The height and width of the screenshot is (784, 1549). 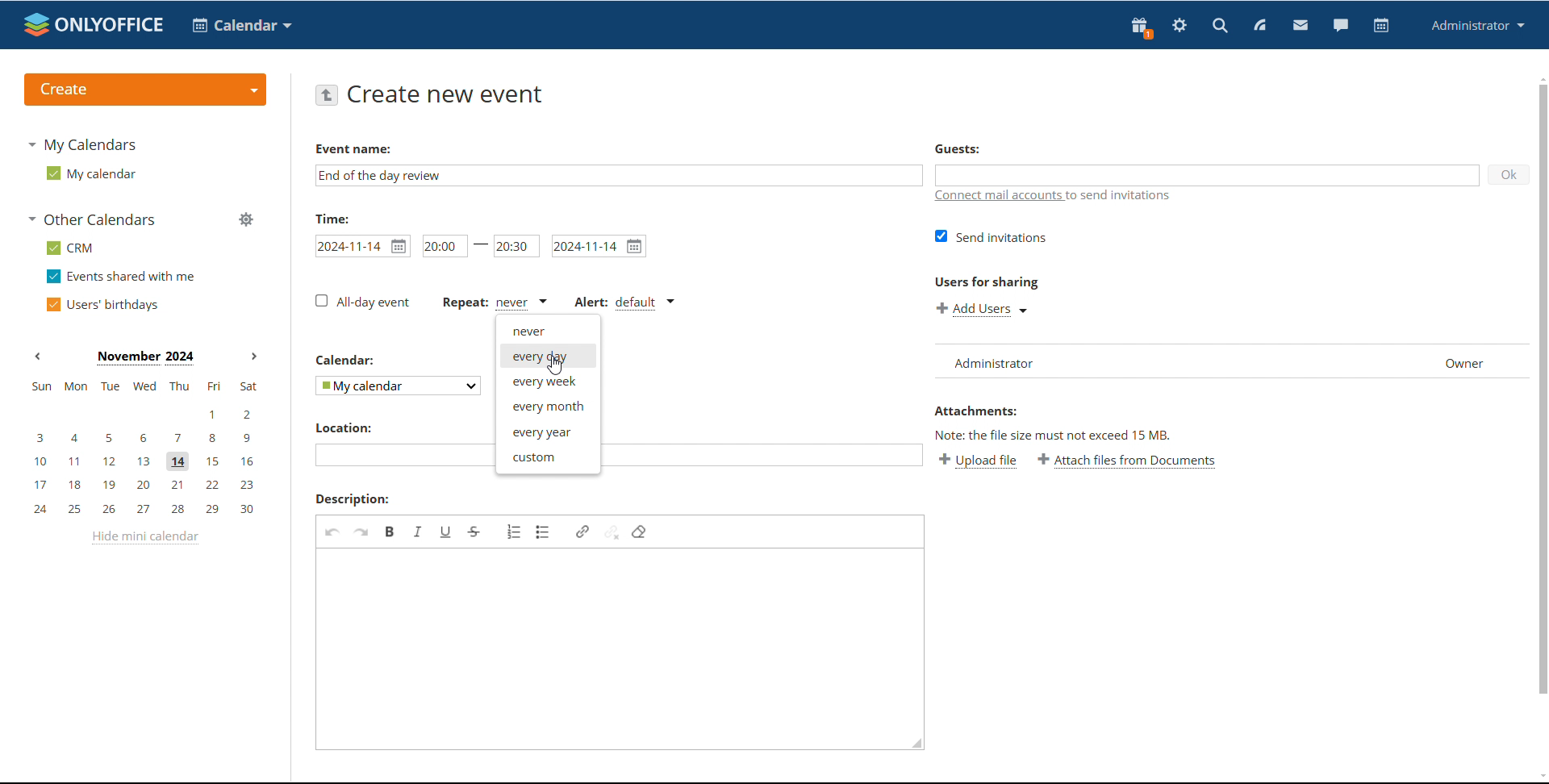 What do you see at coordinates (94, 219) in the screenshot?
I see `other calendars` at bounding box center [94, 219].